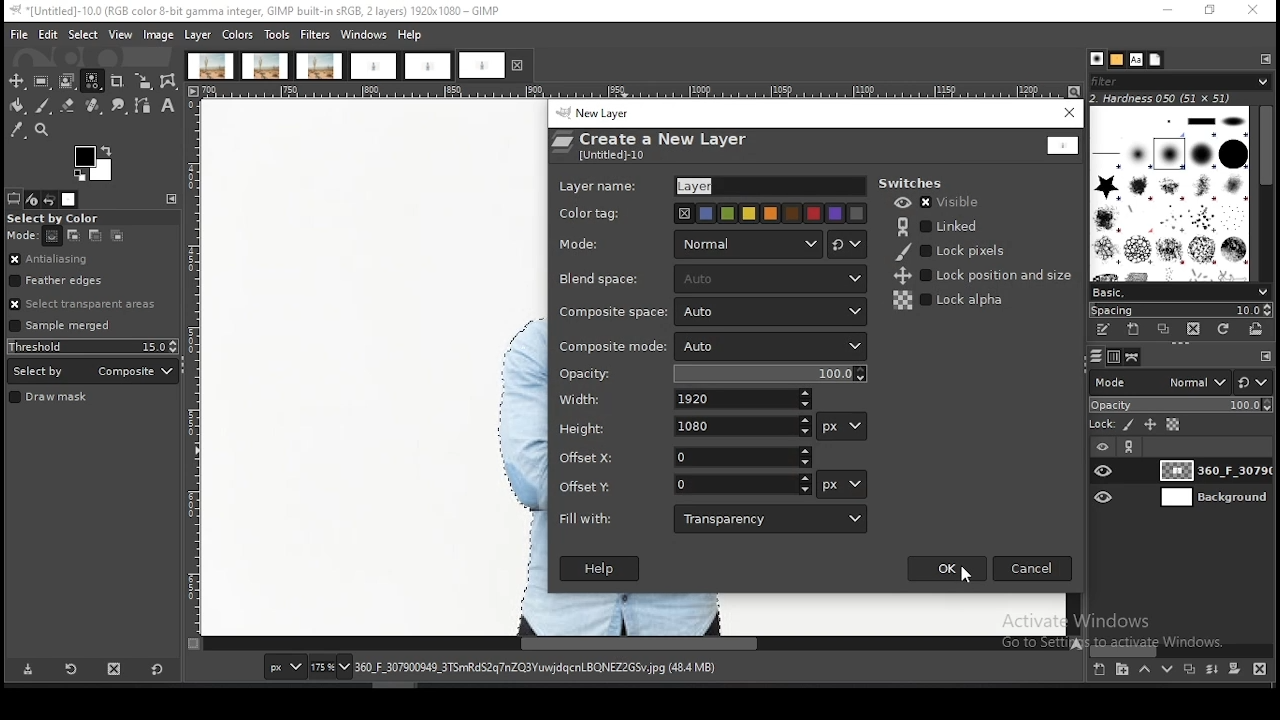 The image size is (1280, 720). What do you see at coordinates (20, 35) in the screenshot?
I see `file` at bounding box center [20, 35].